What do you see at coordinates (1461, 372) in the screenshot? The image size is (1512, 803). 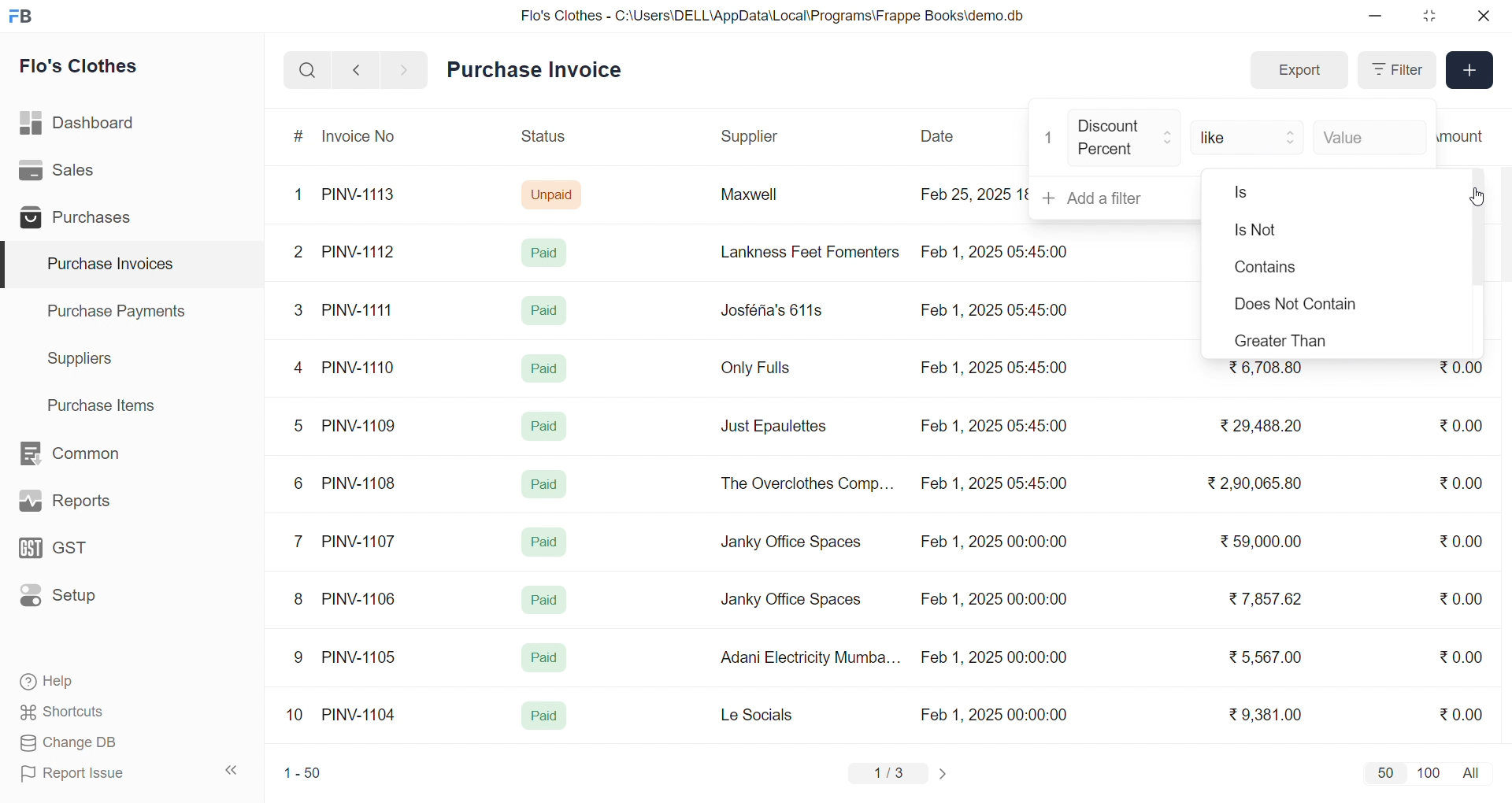 I see `₹0.00` at bounding box center [1461, 372].